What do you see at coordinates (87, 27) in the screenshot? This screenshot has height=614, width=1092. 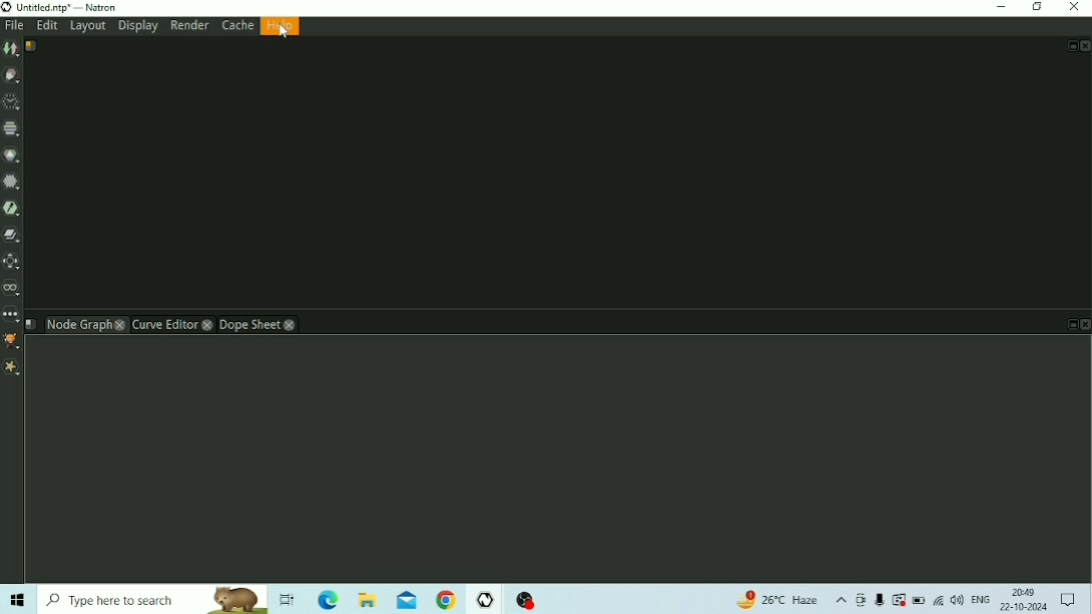 I see `Layout` at bounding box center [87, 27].